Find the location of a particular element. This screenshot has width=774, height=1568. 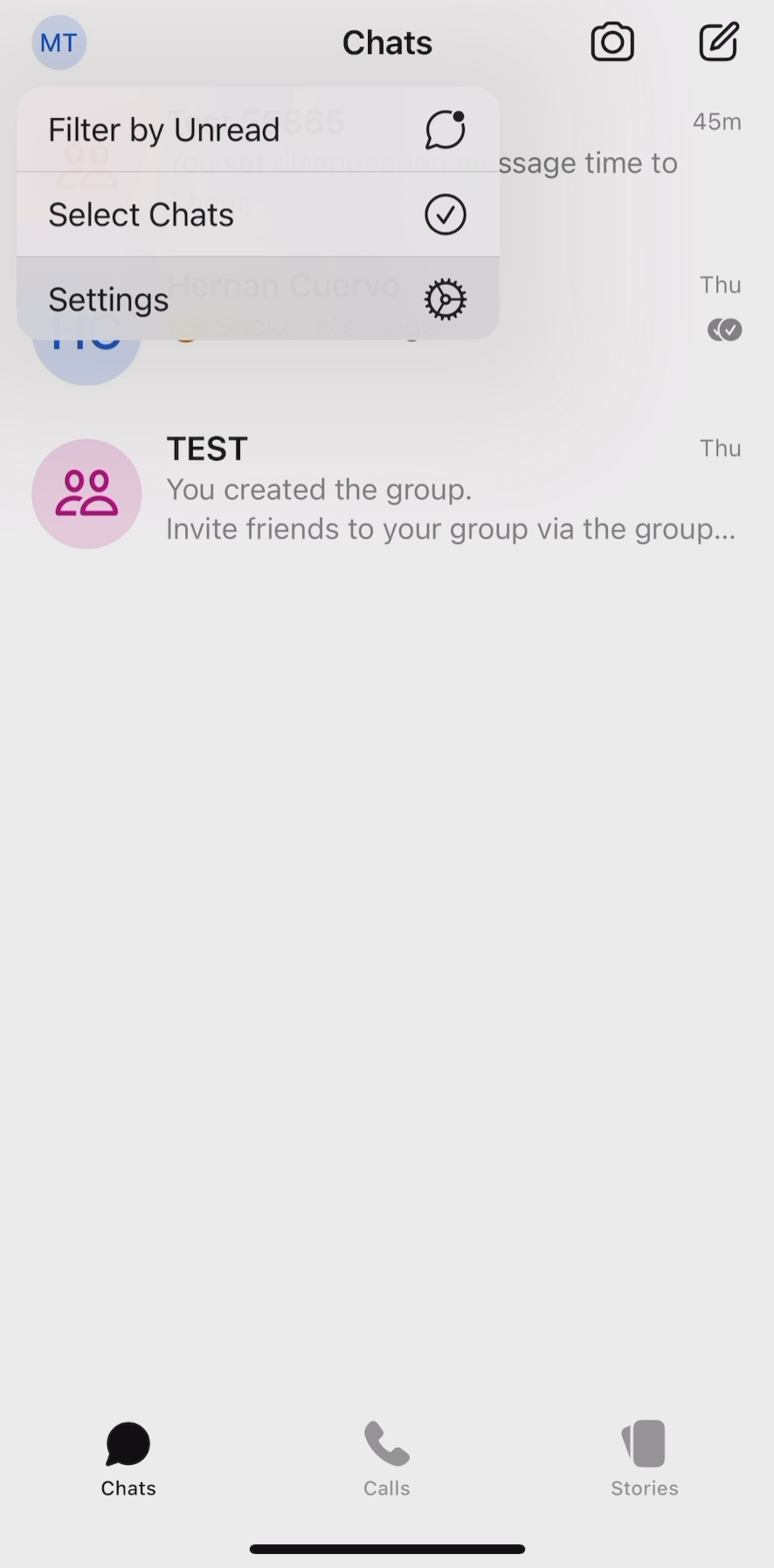

half circle is located at coordinates (86, 364).